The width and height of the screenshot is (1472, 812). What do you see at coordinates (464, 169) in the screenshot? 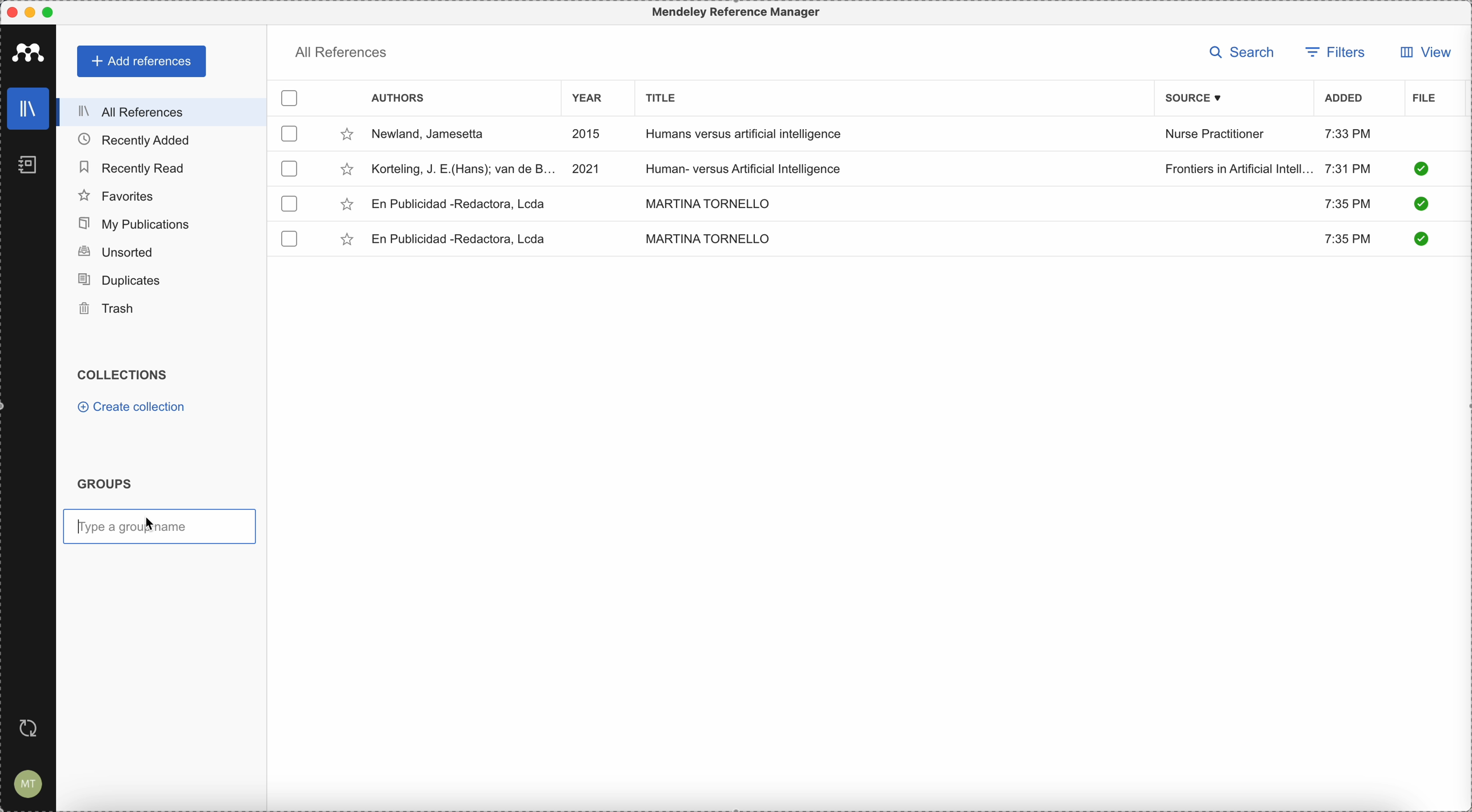
I see `Korteling, J.E.(Hans)` at bounding box center [464, 169].